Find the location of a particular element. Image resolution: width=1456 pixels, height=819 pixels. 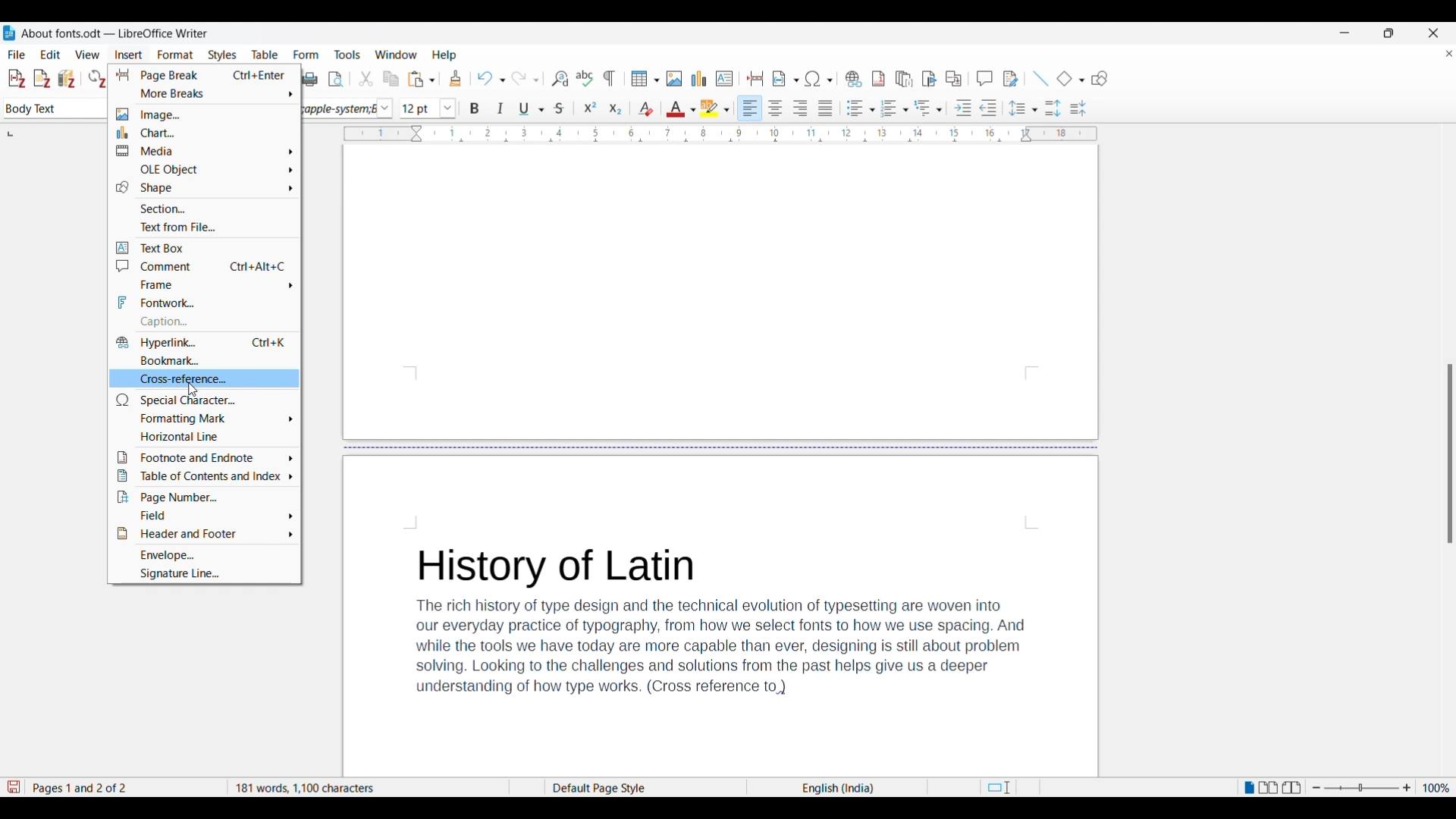

More break options is located at coordinates (206, 94).